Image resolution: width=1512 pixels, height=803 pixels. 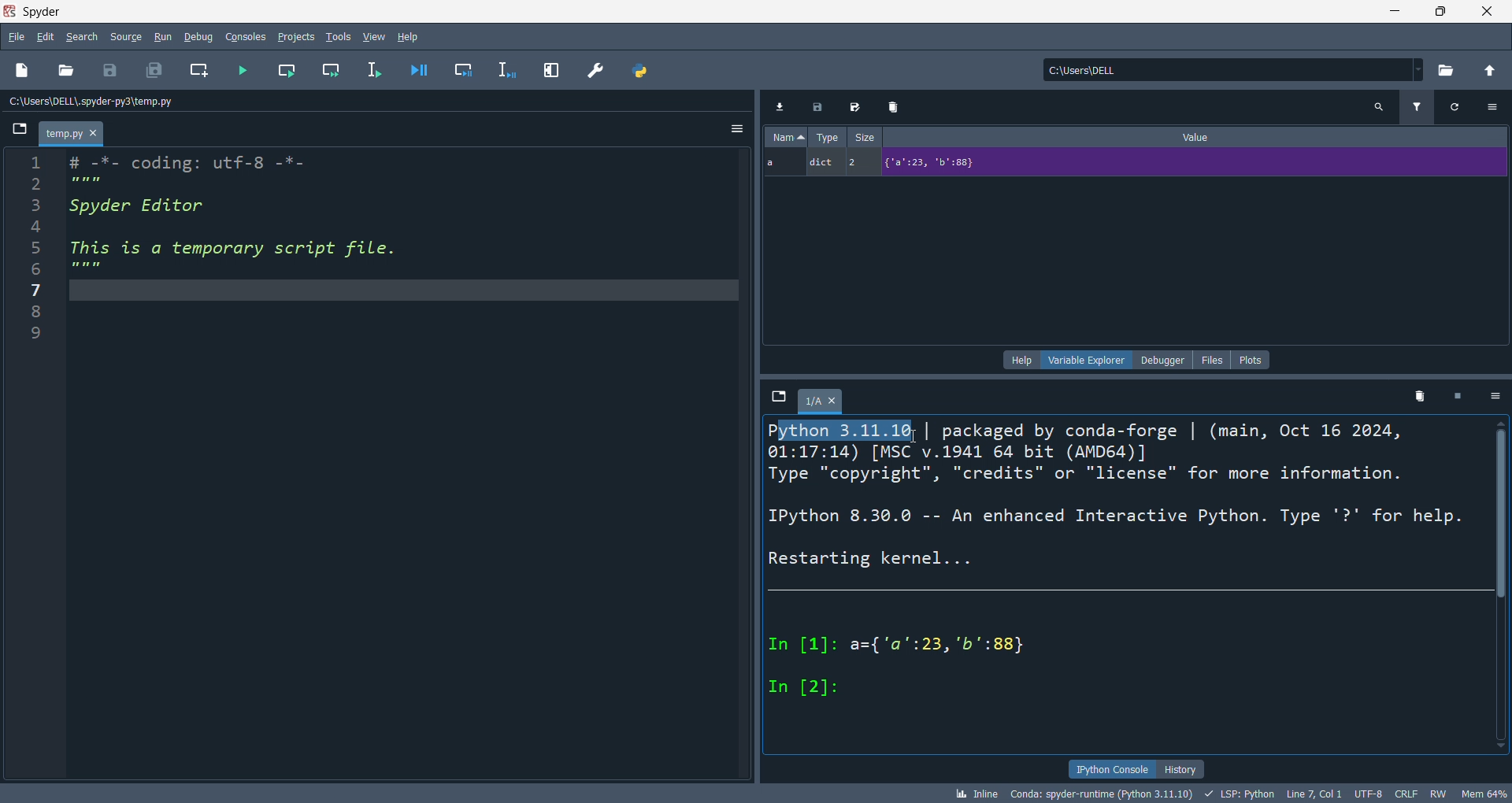 What do you see at coordinates (1450, 71) in the screenshot?
I see `open current directory` at bounding box center [1450, 71].